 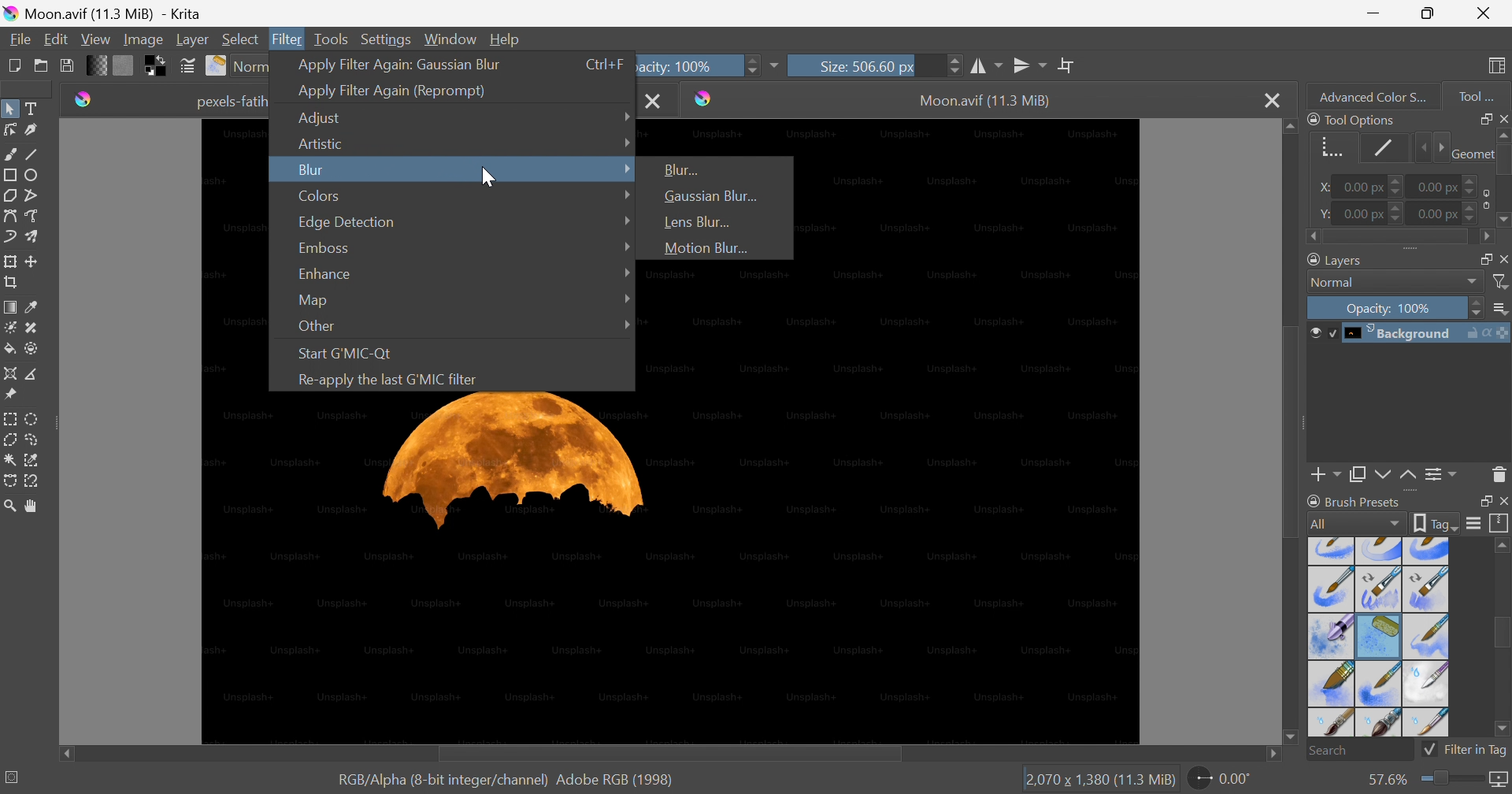 I want to click on Normal, so click(x=1394, y=282).